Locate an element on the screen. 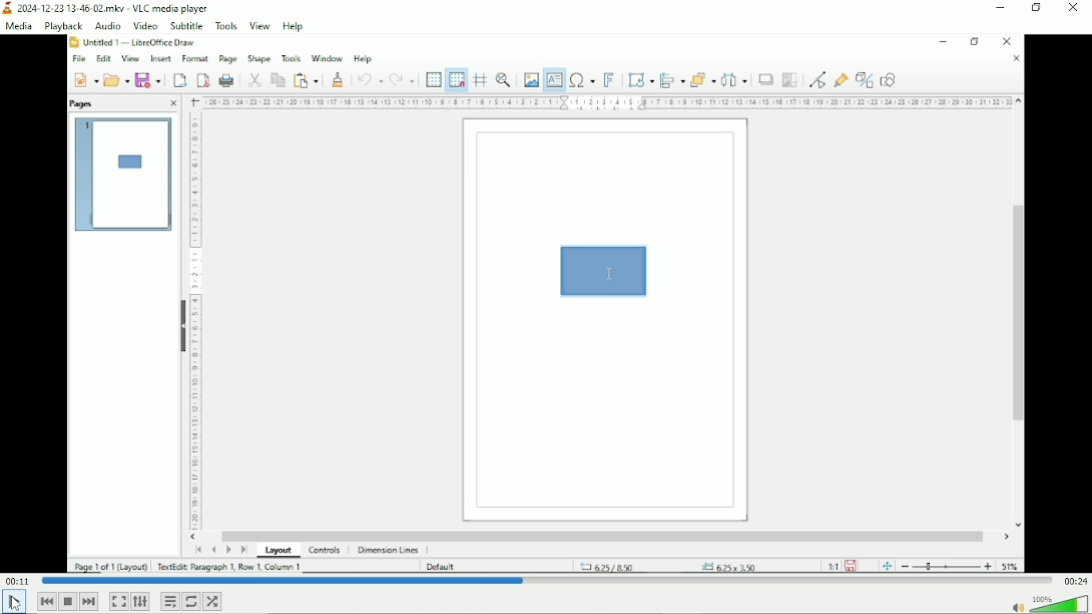 This screenshot has height=614, width=1092. View is located at coordinates (258, 25).